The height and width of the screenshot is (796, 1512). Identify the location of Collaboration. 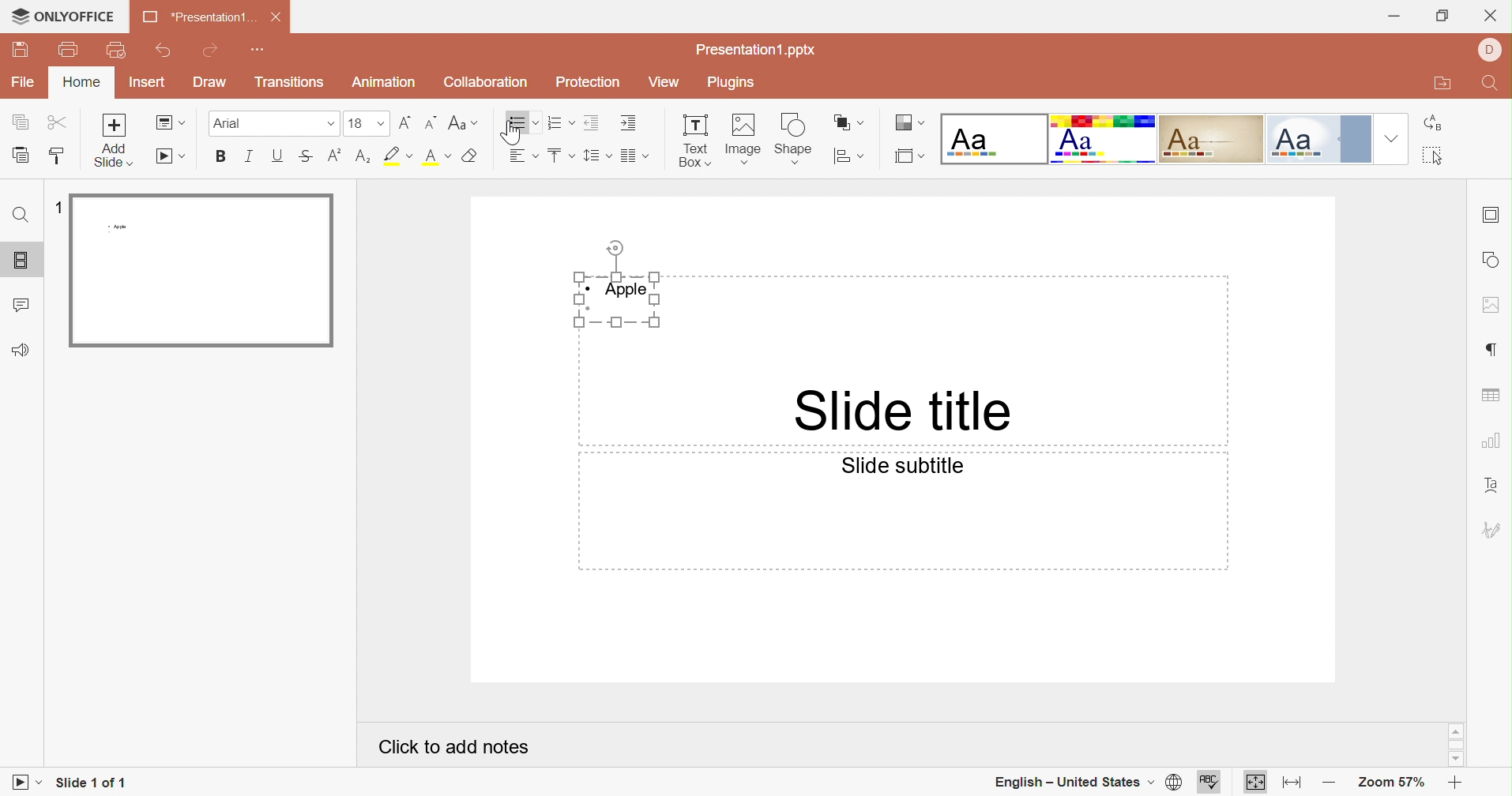
(485, 82).